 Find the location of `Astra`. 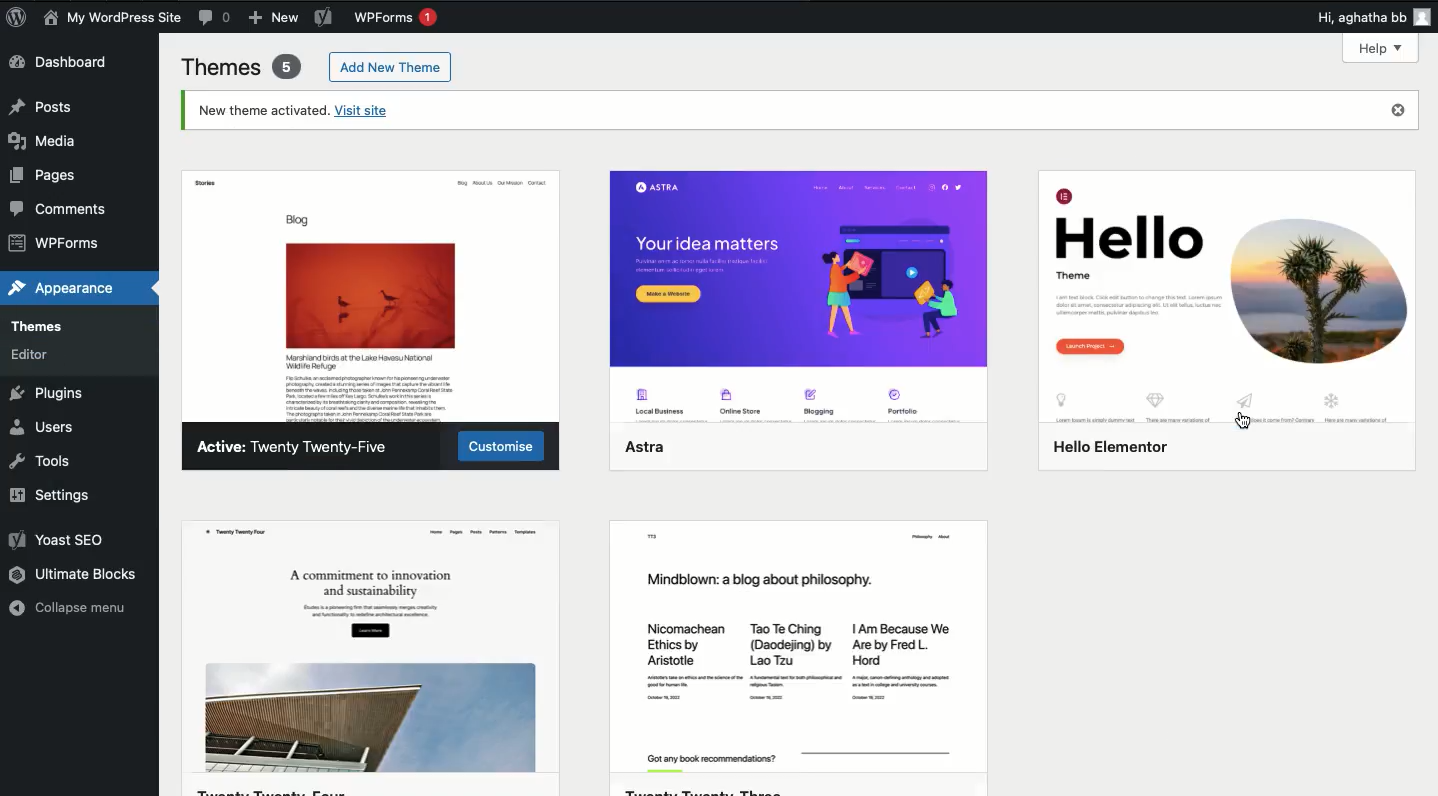

Astra is located at coordinates (374, 288).